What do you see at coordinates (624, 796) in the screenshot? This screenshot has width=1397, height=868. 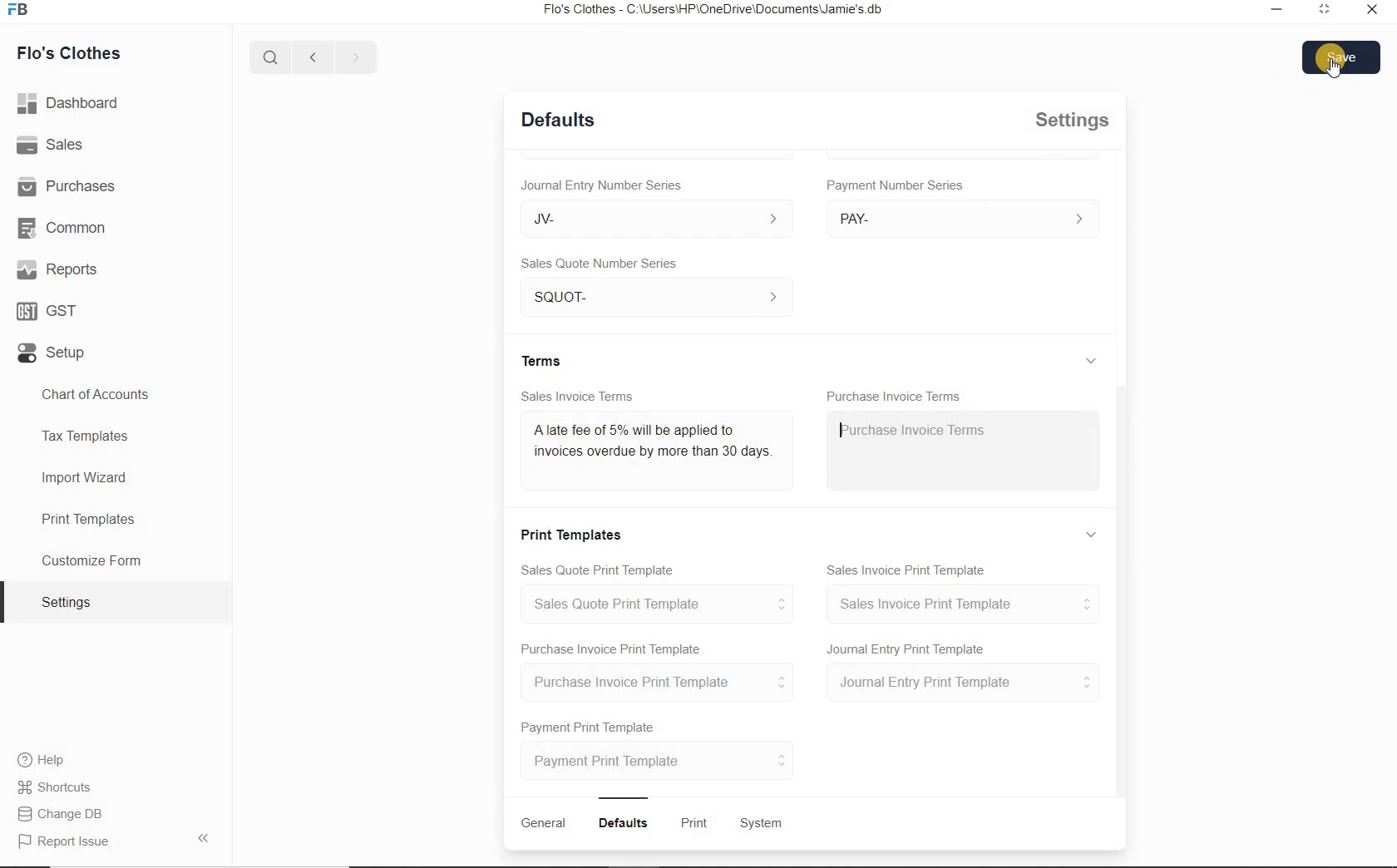 I see `Bar` at bounding box center [624, 796].